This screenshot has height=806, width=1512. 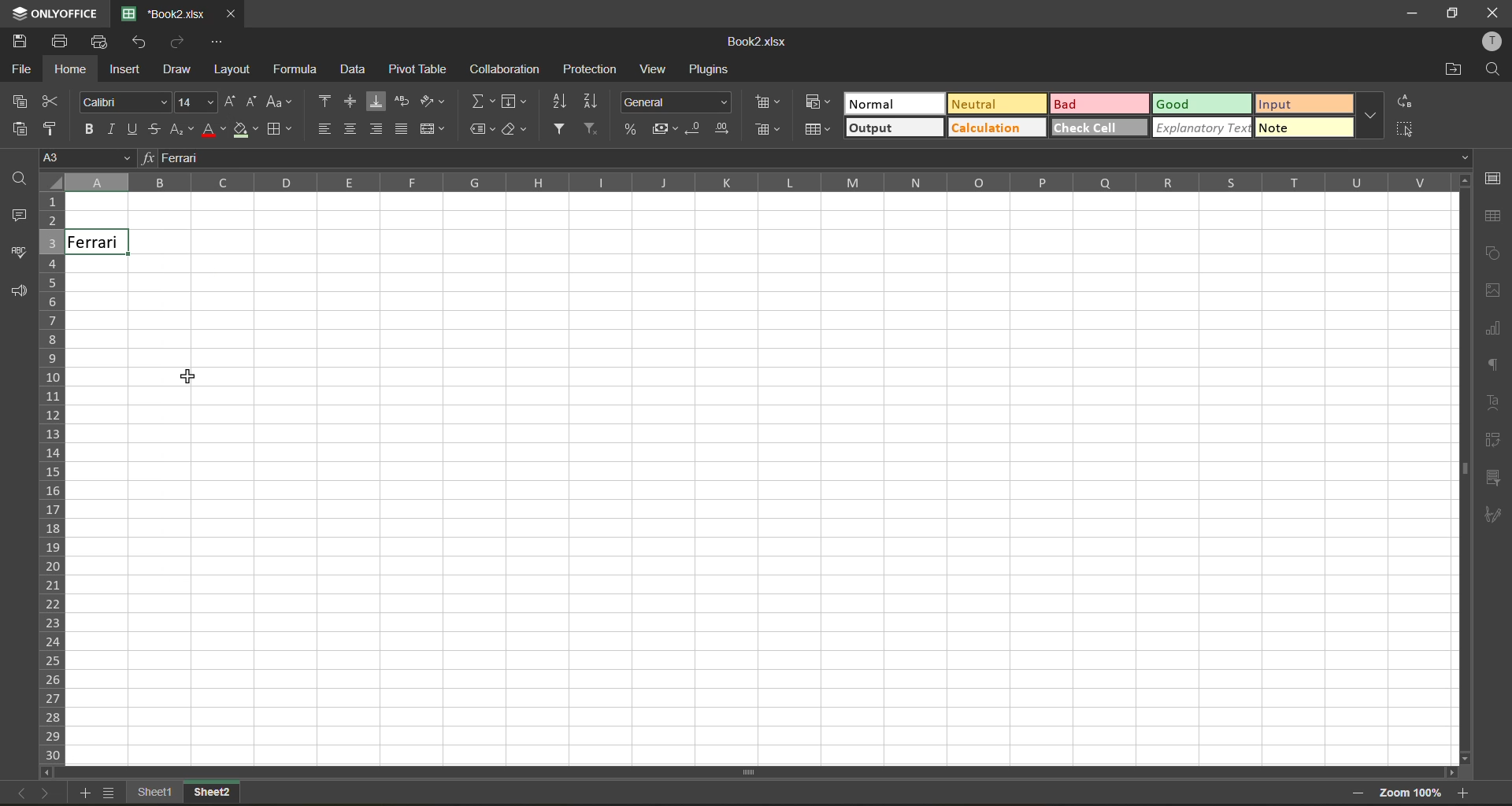 What do you see at coordinates (67, 70) in the screenshot?
I see `home` at bounding box center [67, 70].